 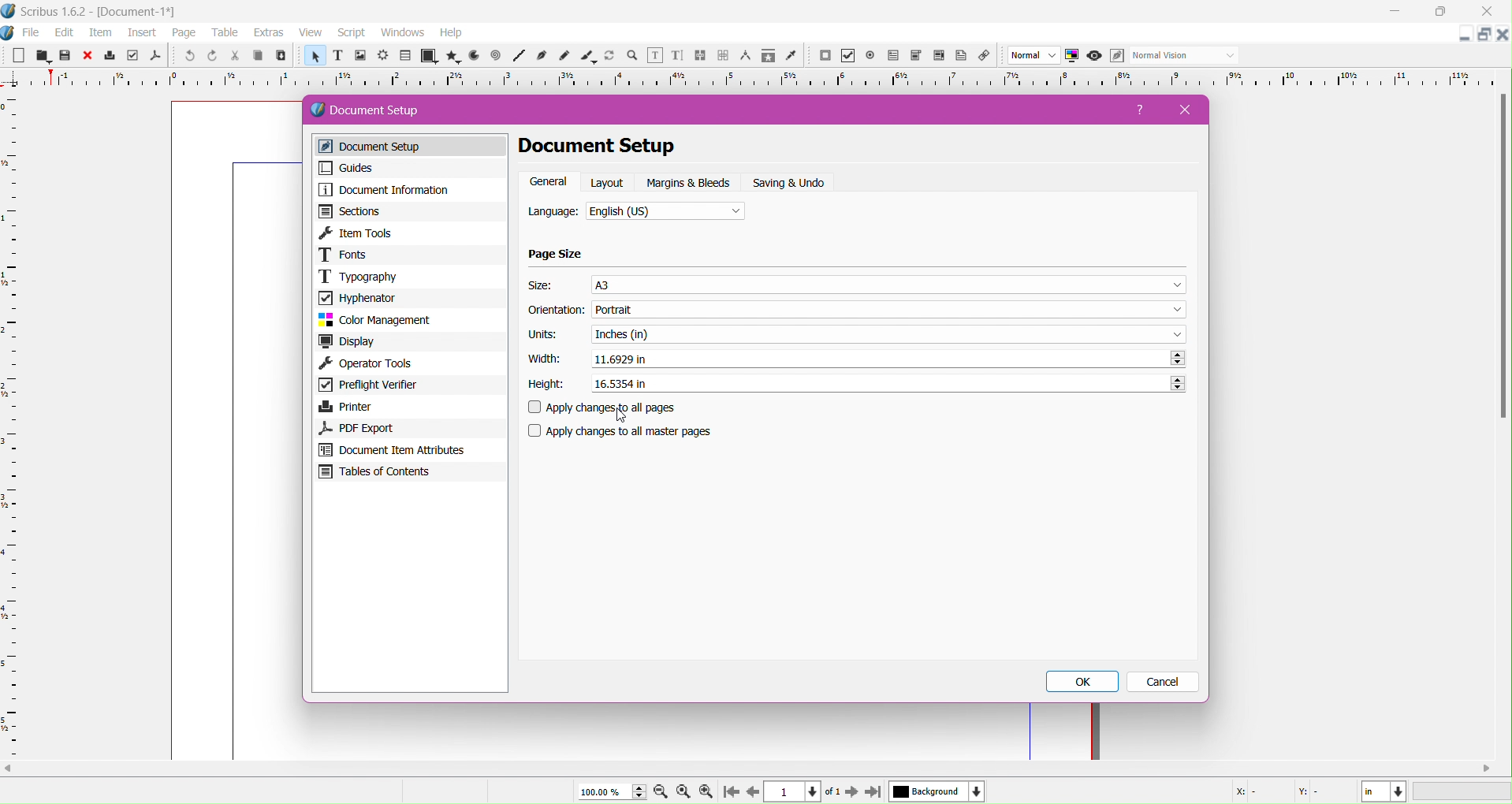 What do you see at coordinates (549, 182) in the screenshot?
I see `General` at bounding box center [549, 182].